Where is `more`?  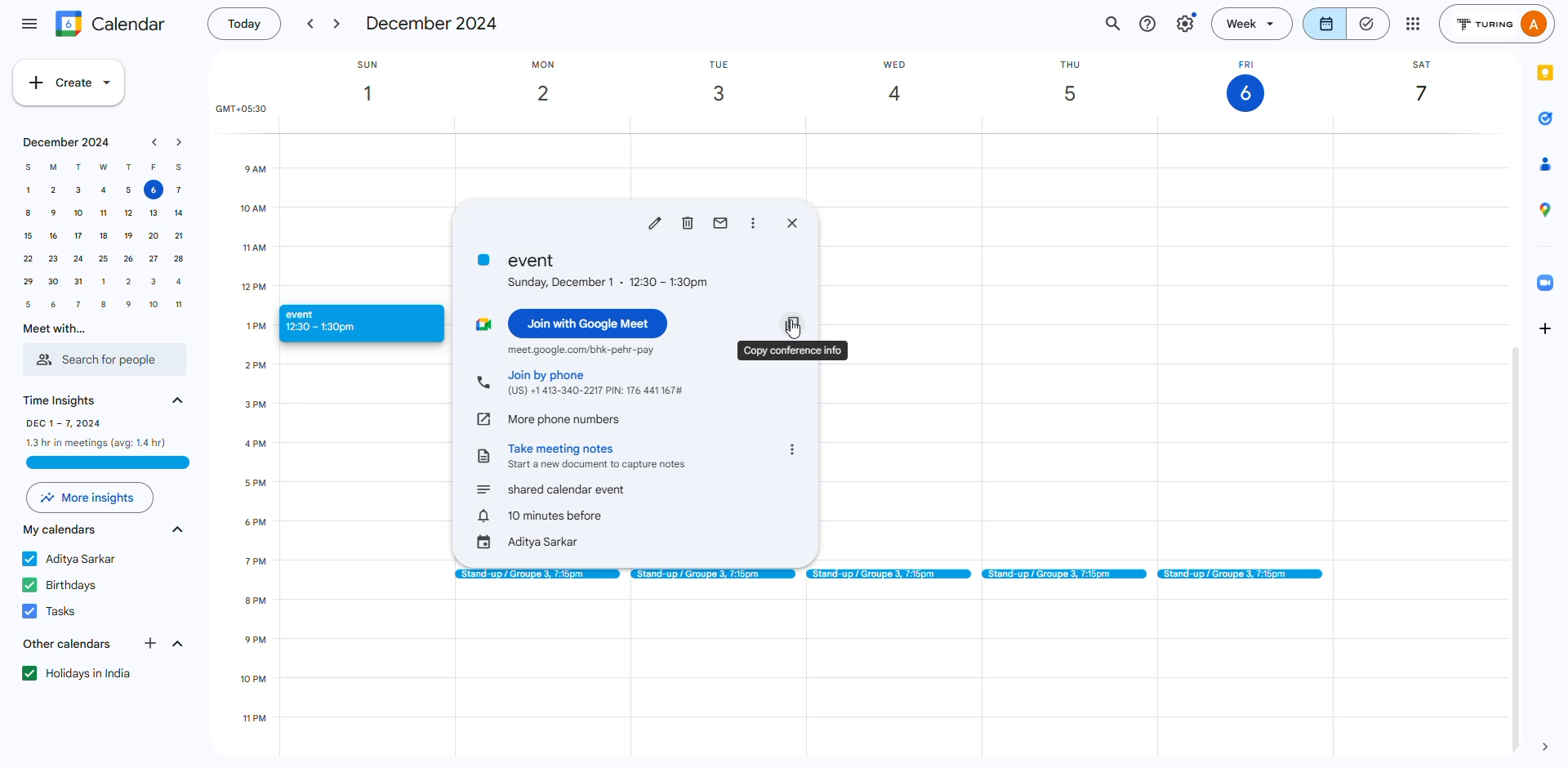 more is located at coordinates (91, 498).